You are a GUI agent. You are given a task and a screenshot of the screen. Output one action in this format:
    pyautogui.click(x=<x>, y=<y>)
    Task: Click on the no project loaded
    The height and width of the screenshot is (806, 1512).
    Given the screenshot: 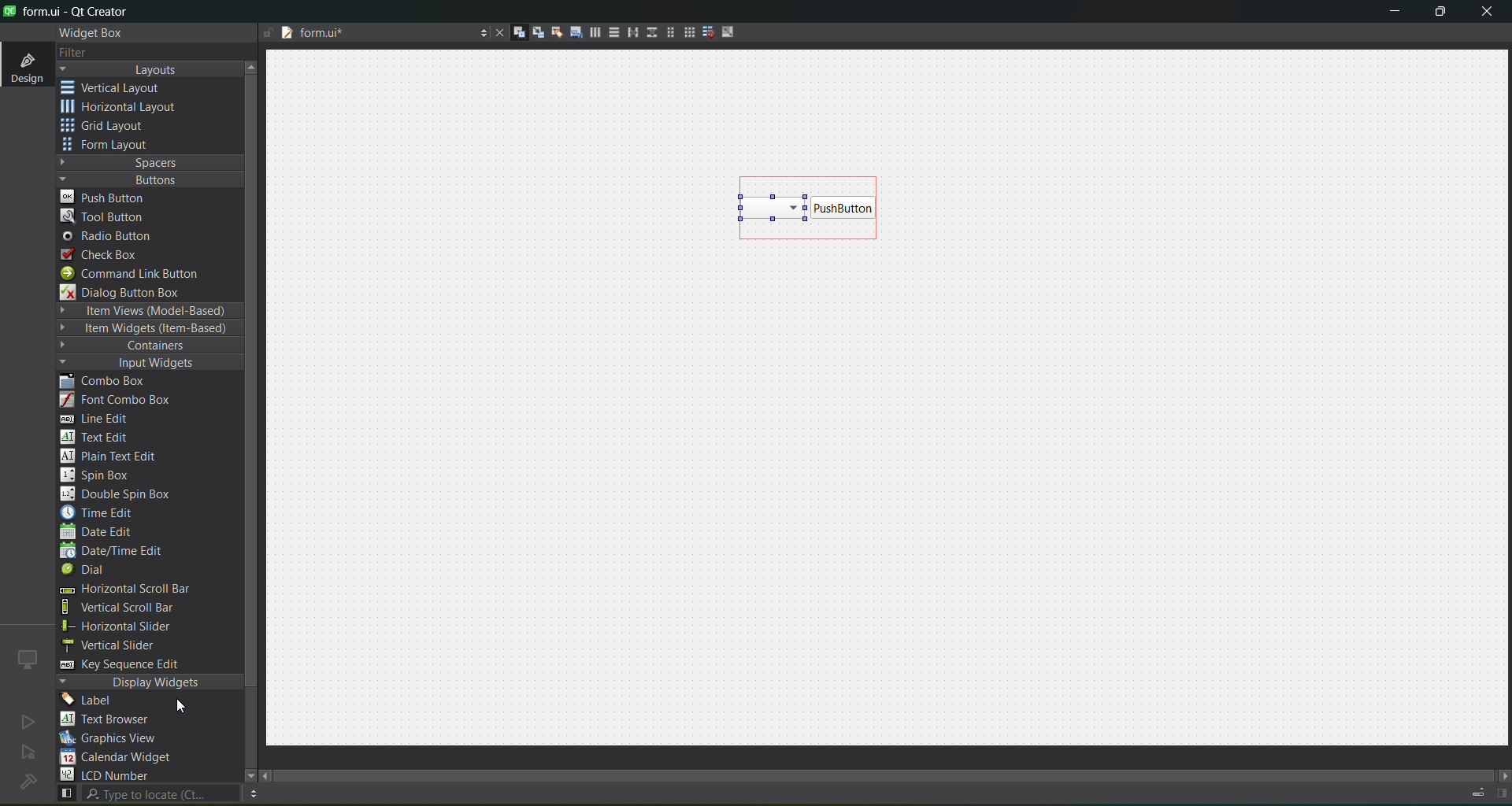 What is the action you would take?
    pyautogui.click(x=28, y=782)
    